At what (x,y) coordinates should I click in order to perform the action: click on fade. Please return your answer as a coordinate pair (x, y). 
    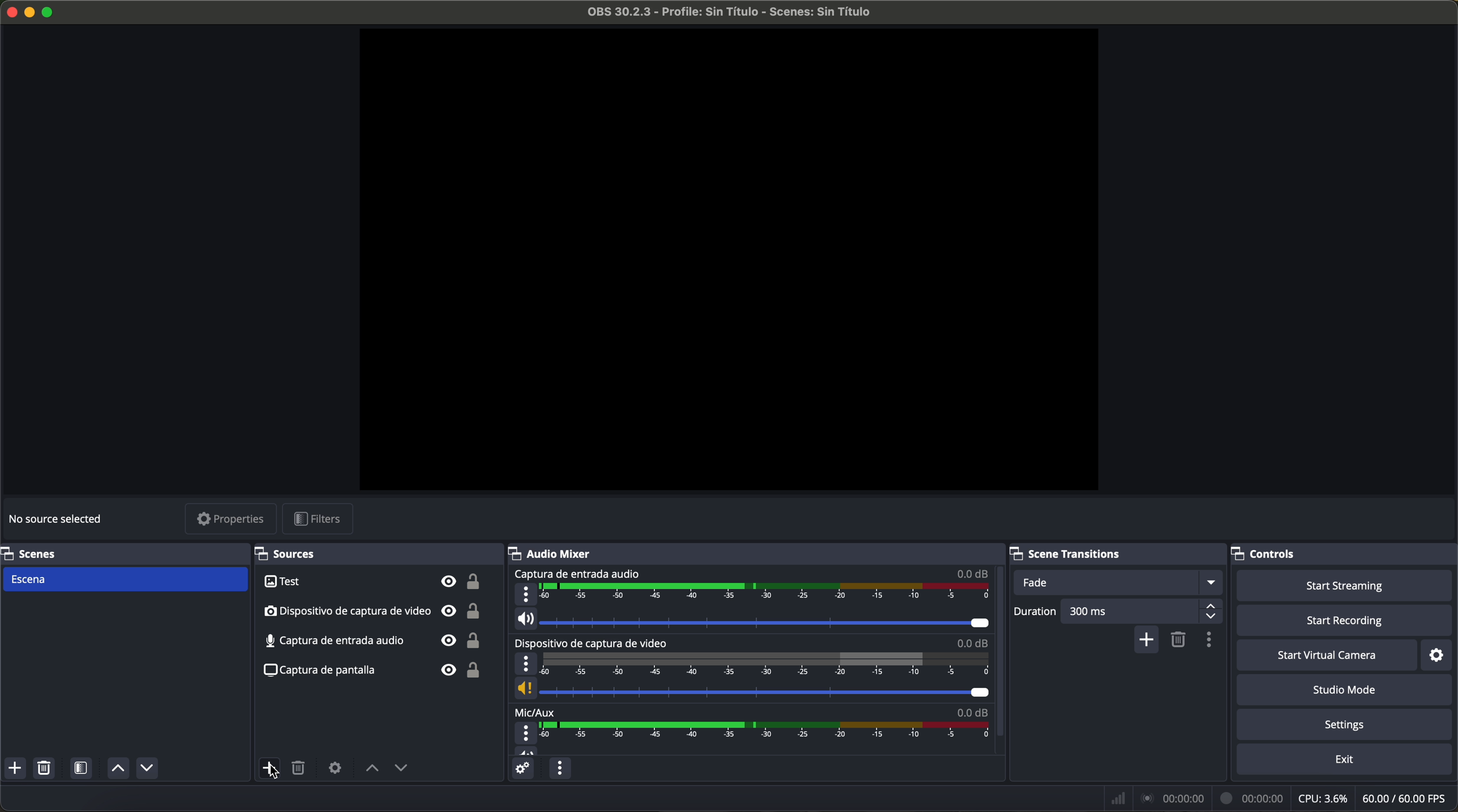
    Looking at the image, I should click on (1121, 582).